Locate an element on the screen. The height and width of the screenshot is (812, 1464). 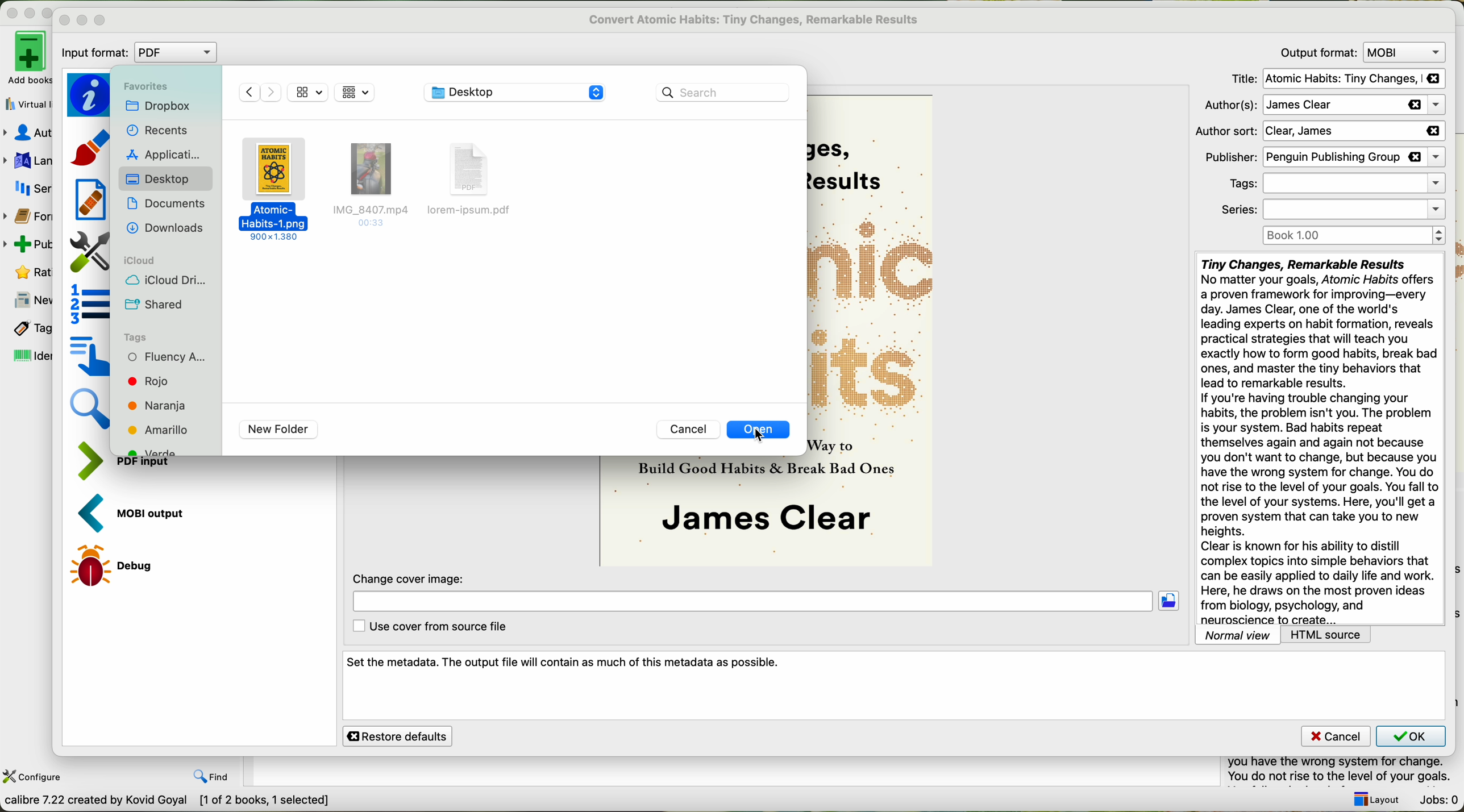
rating is located at coordinates (31, 271).